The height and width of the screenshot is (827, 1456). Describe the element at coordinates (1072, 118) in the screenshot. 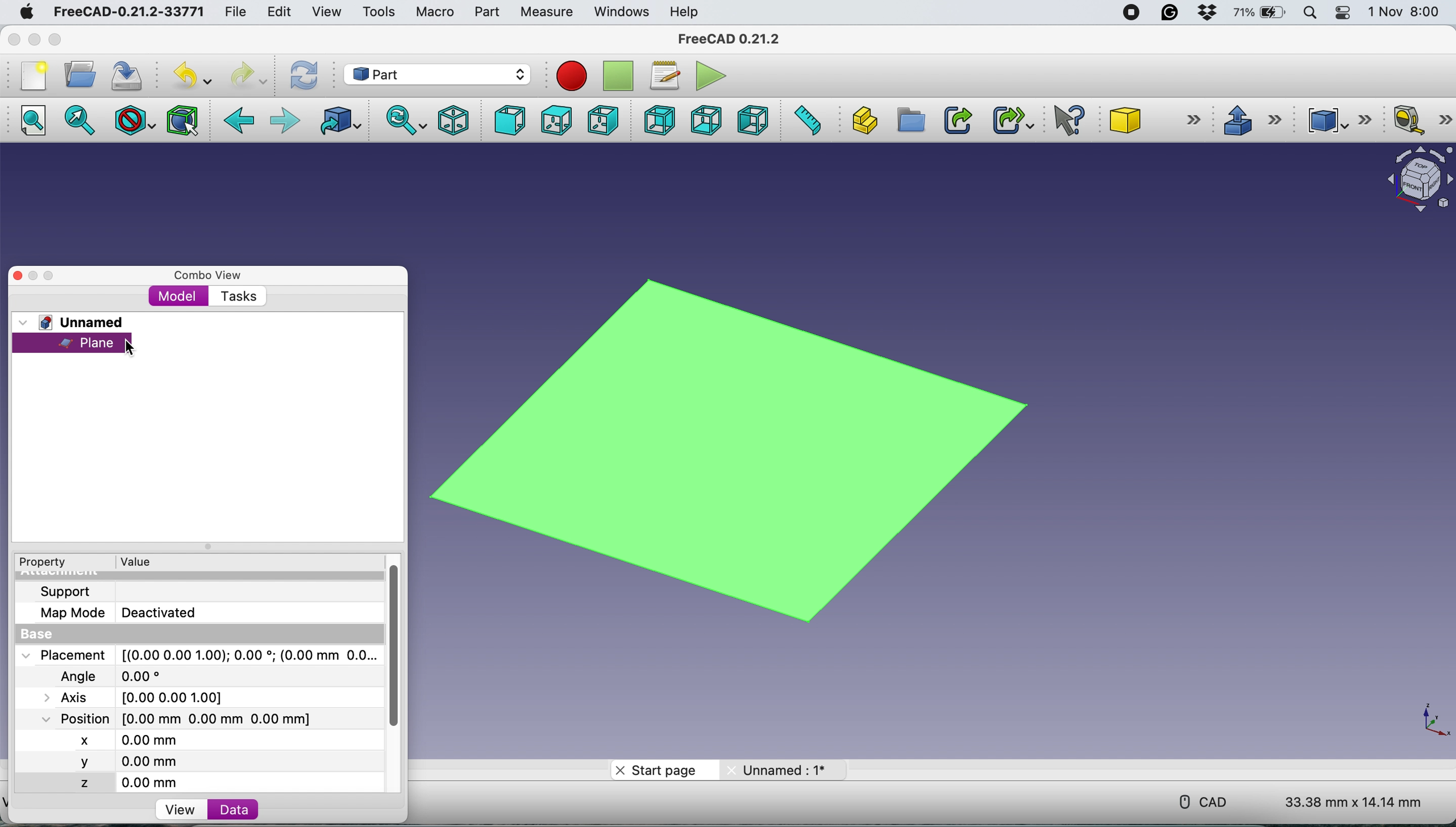

I see `what's this` at that location.